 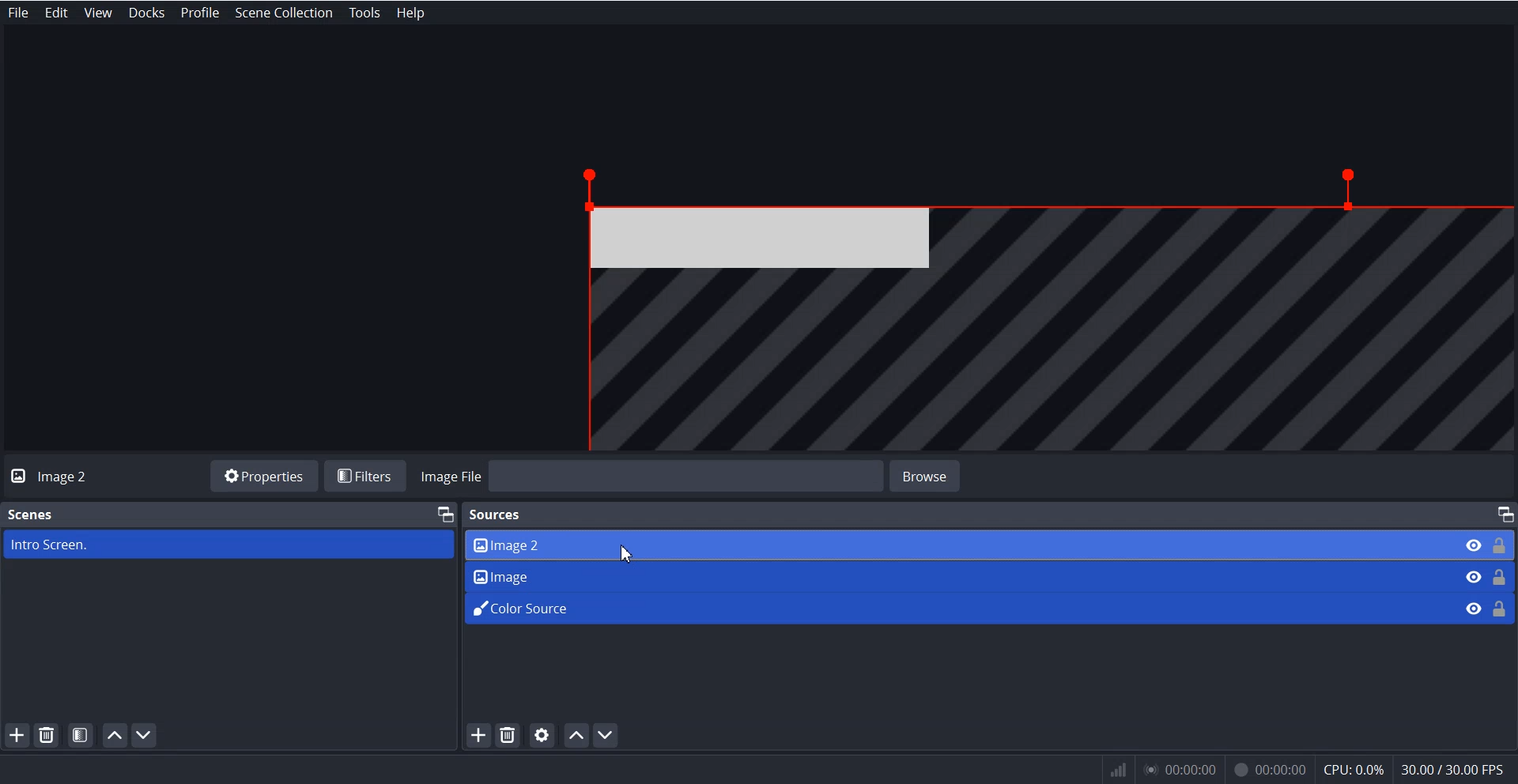 What do you see at coordinates (17, 735) in the screenshot?
I see `Add Scene` at bounding box center [17, 735].